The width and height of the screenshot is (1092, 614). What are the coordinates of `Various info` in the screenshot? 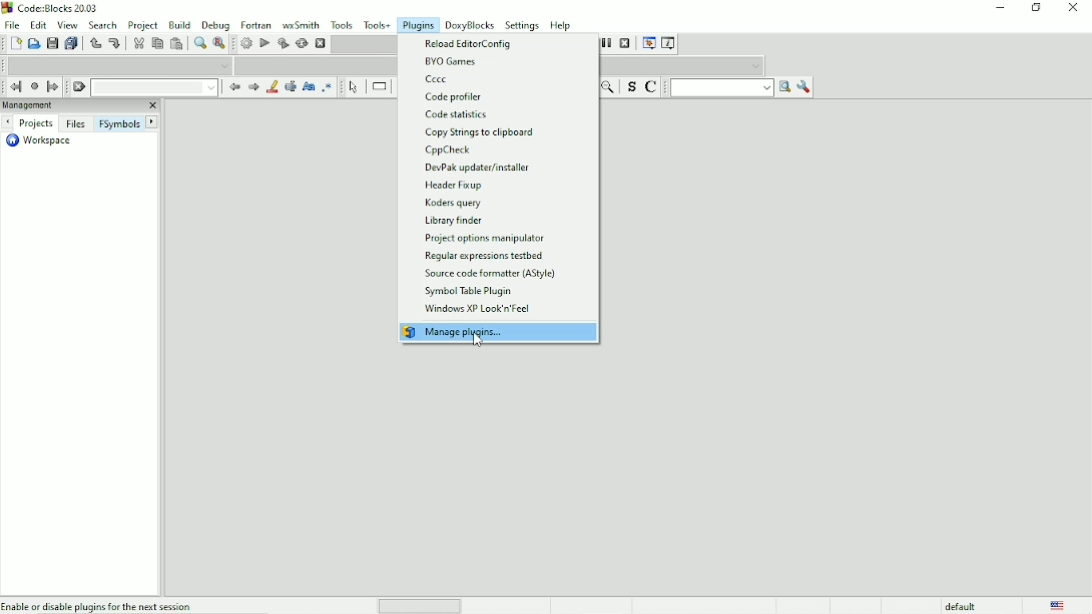 It's located at (669, 43).